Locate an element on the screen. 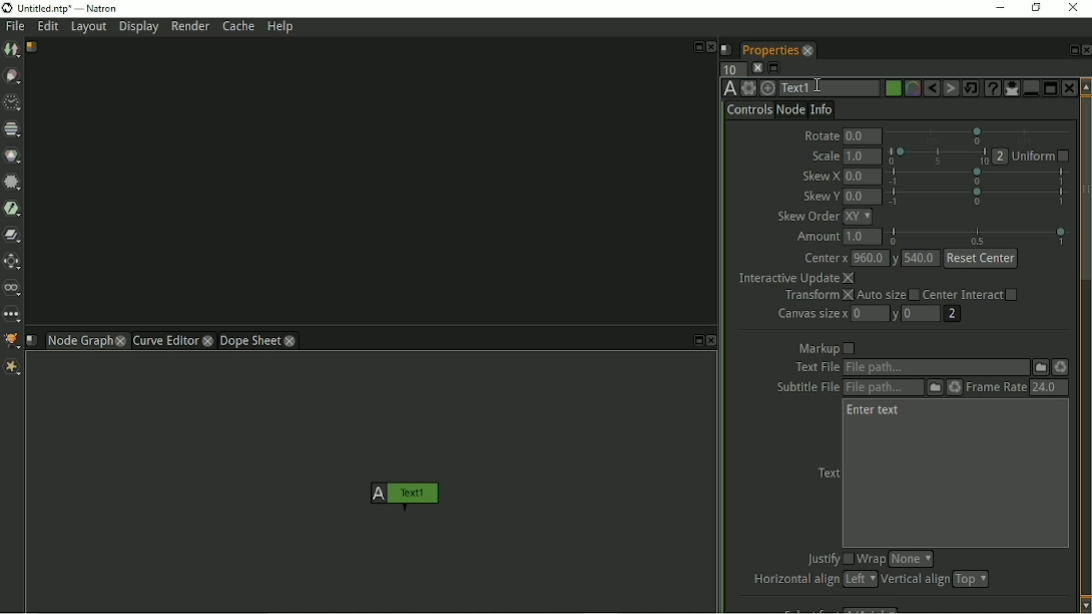  2 is located at coordinates (951, 314).